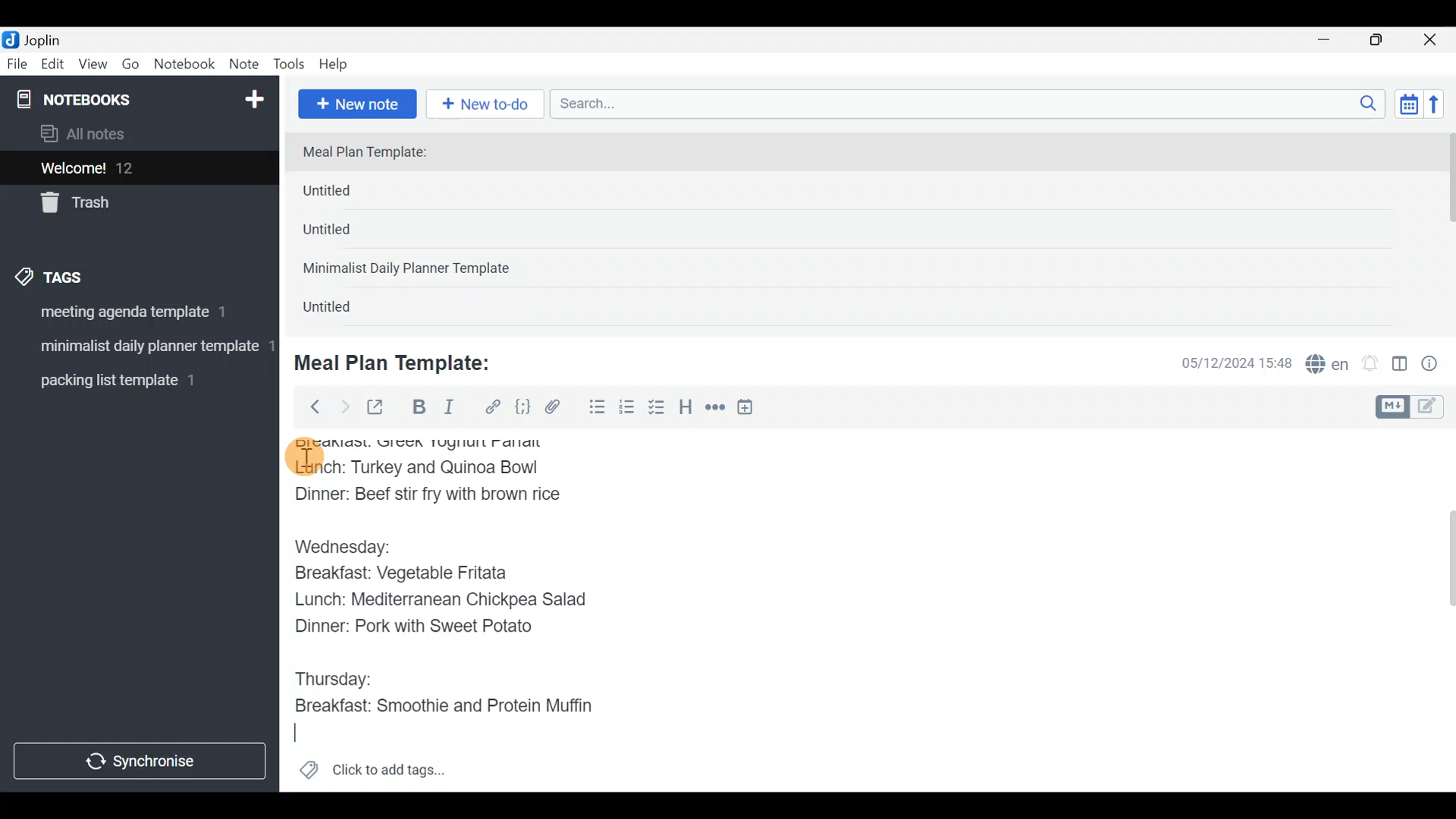 The image size is (1456, 819). Describe the element at coordinates (290, 65) in the screenshot. I see `Tools` at that location.